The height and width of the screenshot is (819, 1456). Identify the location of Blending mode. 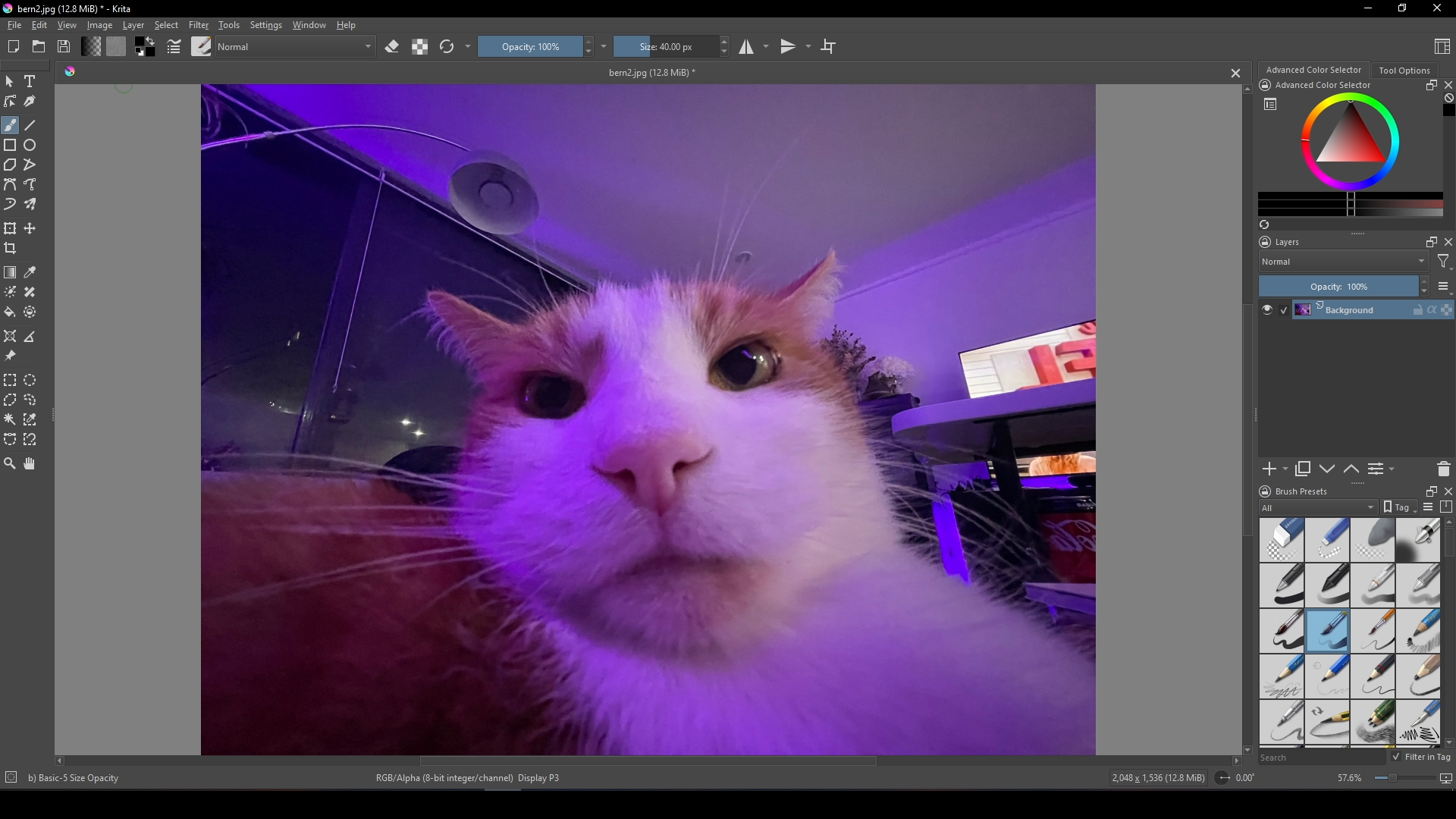
(1343, 262).